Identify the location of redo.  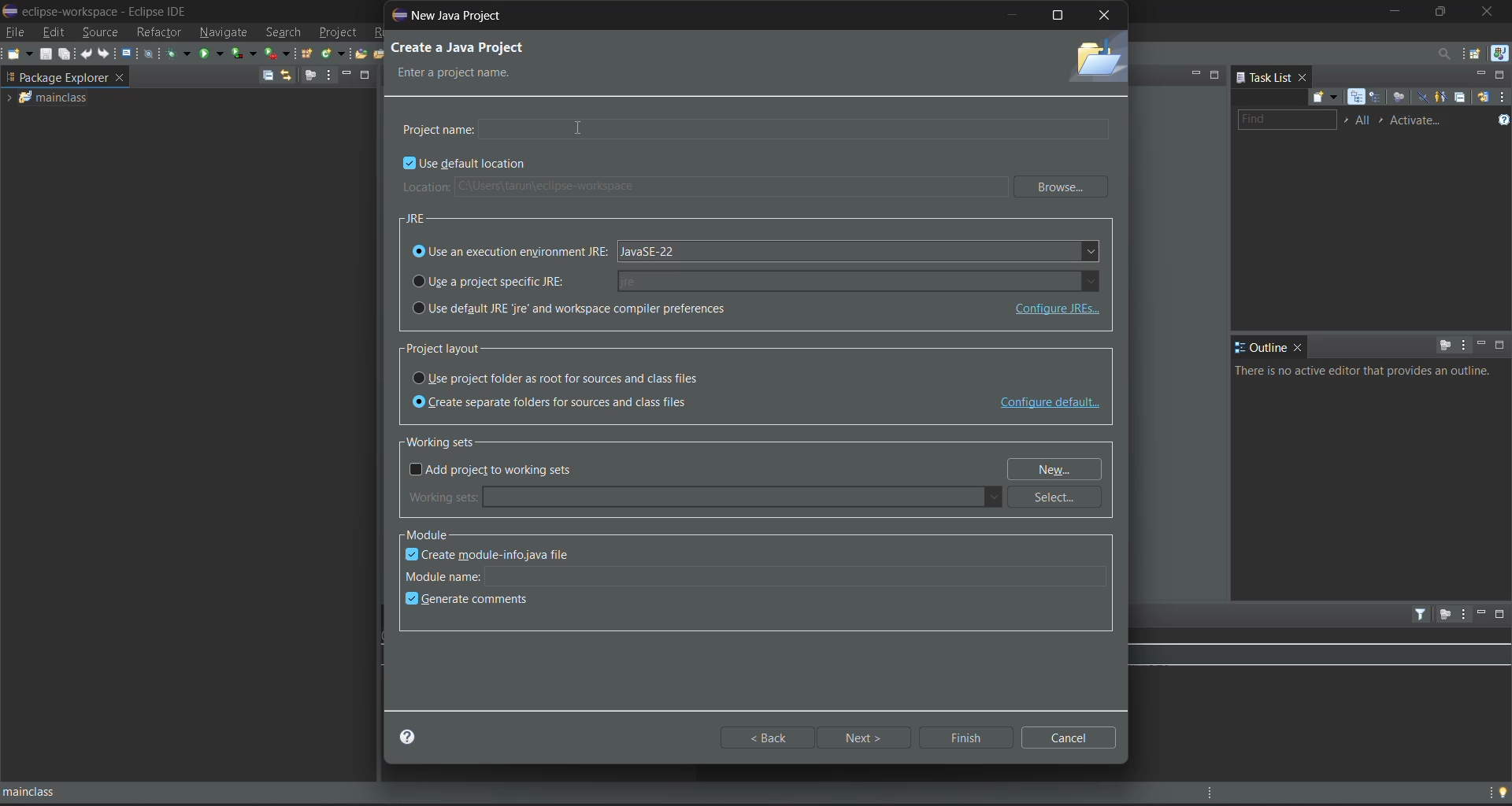
(105, 53).